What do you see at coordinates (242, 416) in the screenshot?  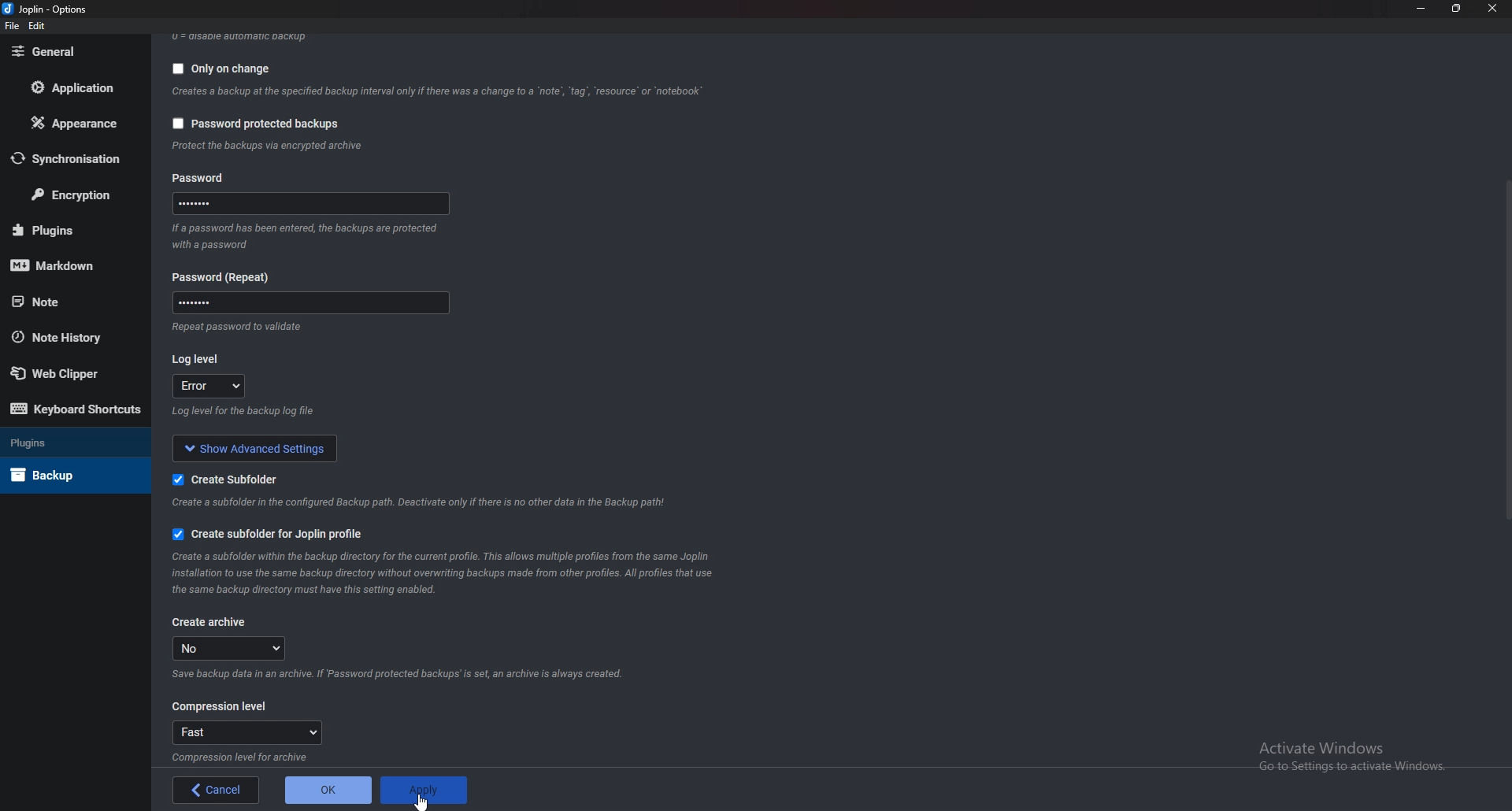 I see `Info on log level` at bounding box center [242, 416].